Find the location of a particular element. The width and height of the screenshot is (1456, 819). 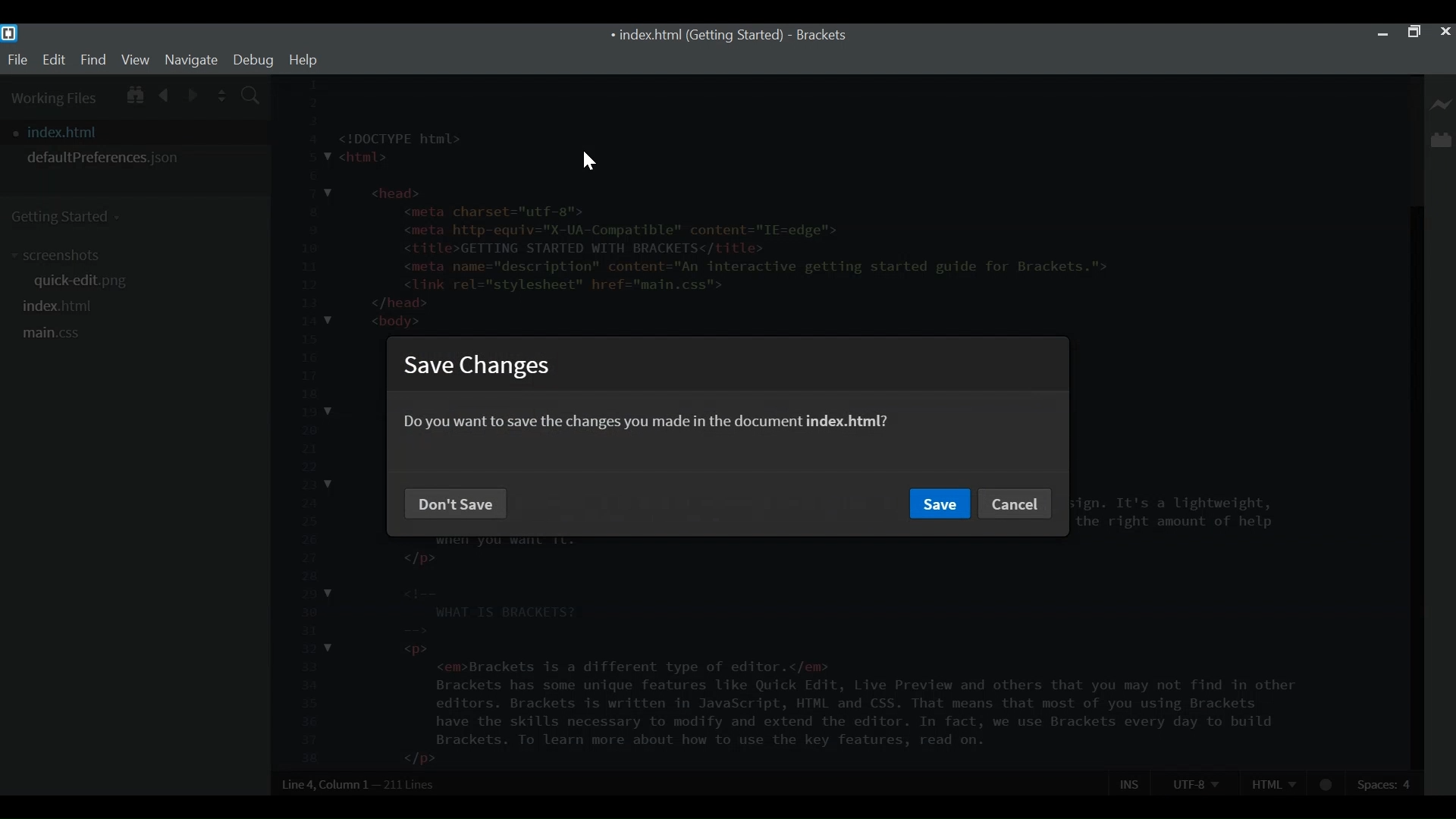

Split the File Vertically or Horizontally is located at coordinates (222, 96).